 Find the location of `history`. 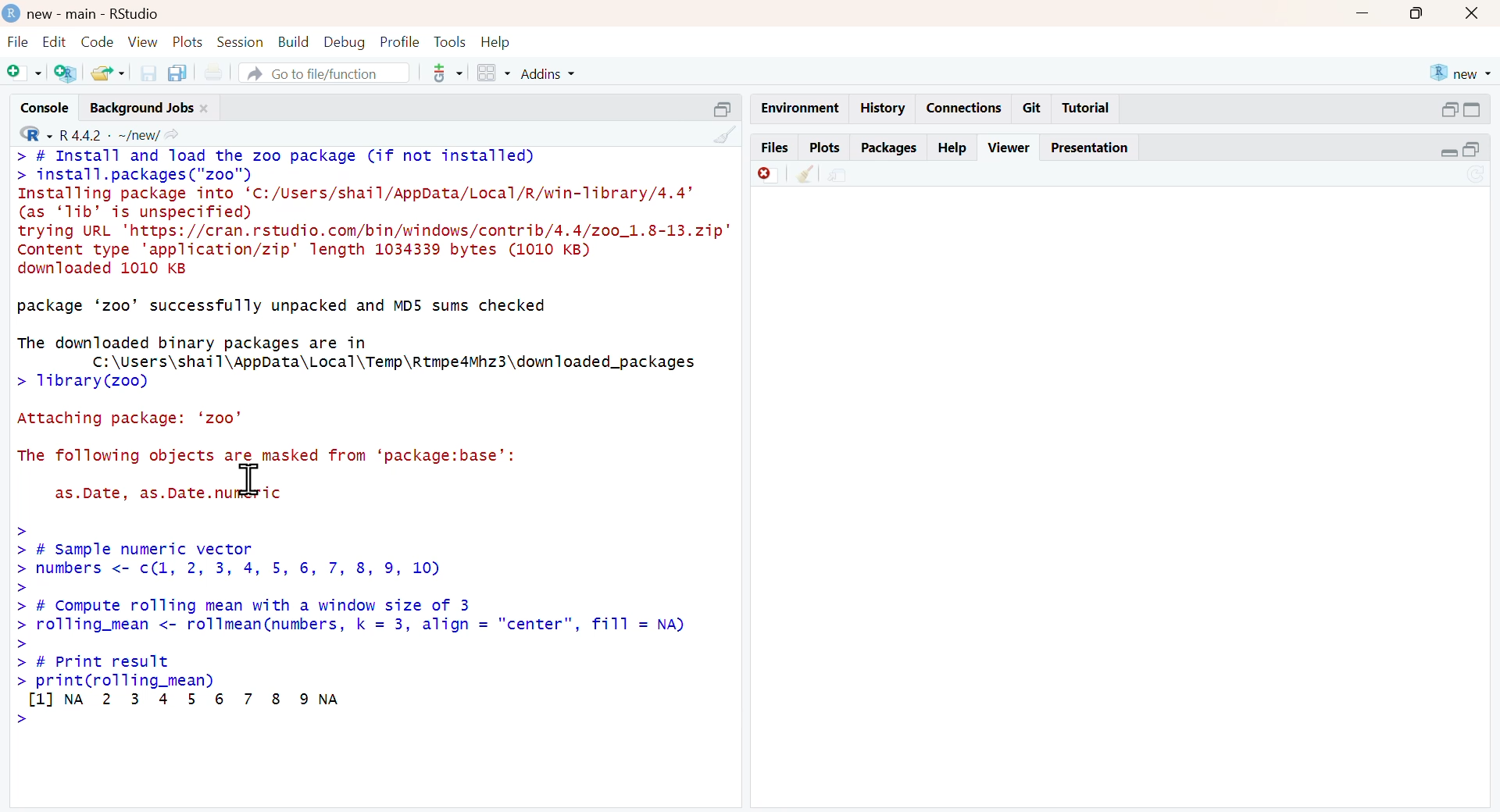

history is located at coordinates (880, 109).